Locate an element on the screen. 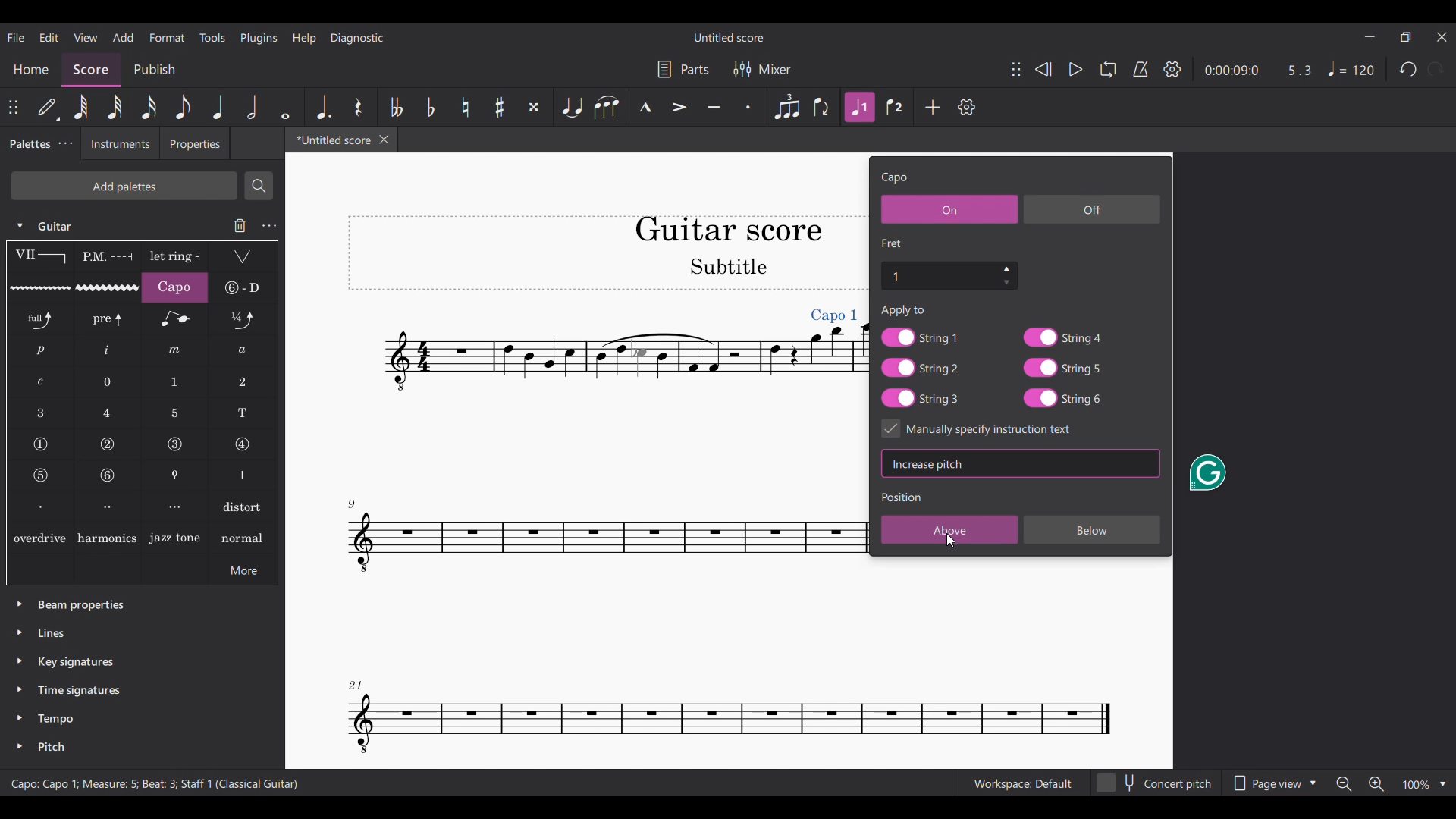 The width and height of the screenshot is (1456, 819). Slight bend is located at coordinates (243, 318).